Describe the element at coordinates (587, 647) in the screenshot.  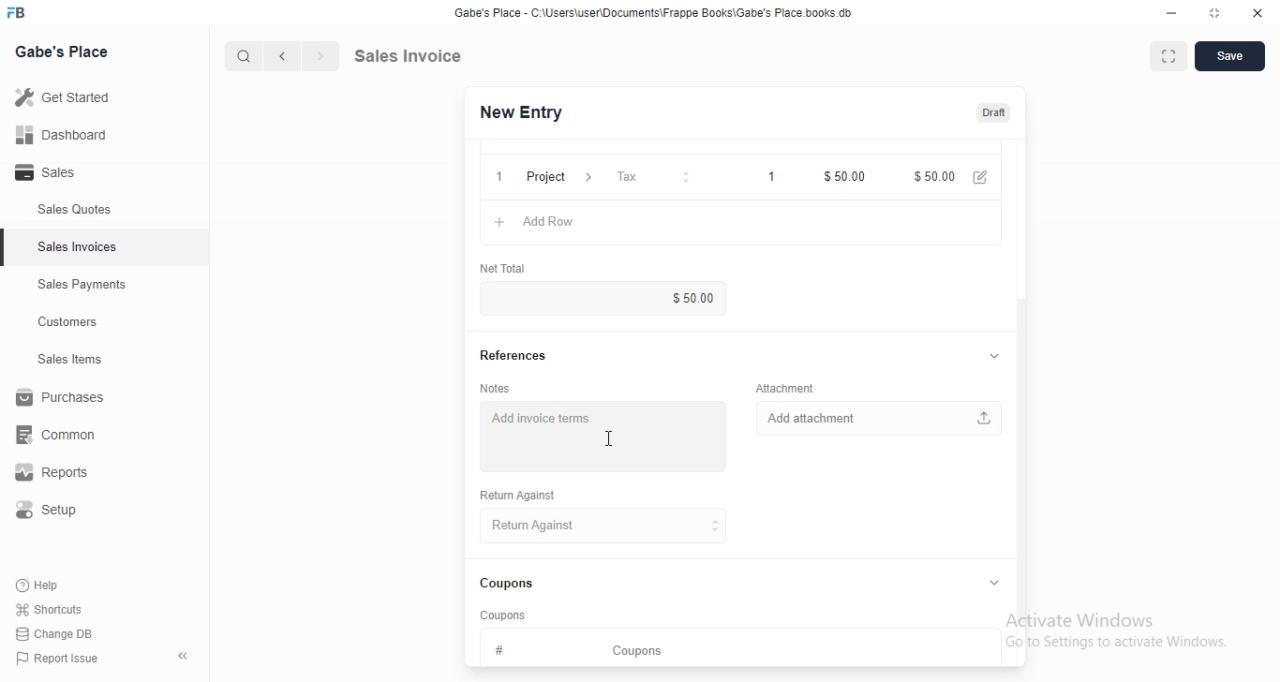
I see `# Coupons` at that location.